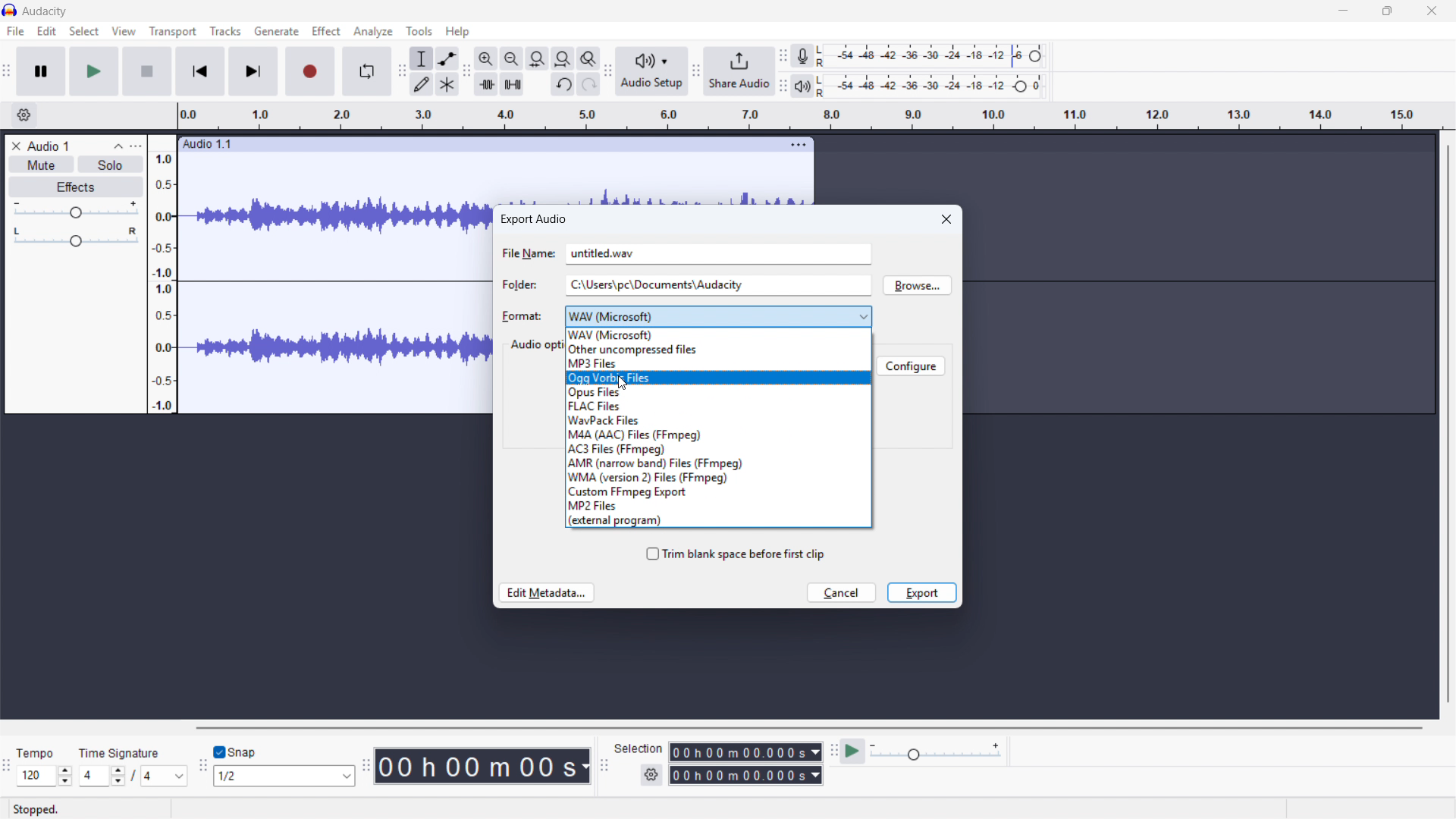 The image size is (1456, 819). Describe the element at coordinates (22, 115) in the screenshot. I see `Timeline settings ` at that location.